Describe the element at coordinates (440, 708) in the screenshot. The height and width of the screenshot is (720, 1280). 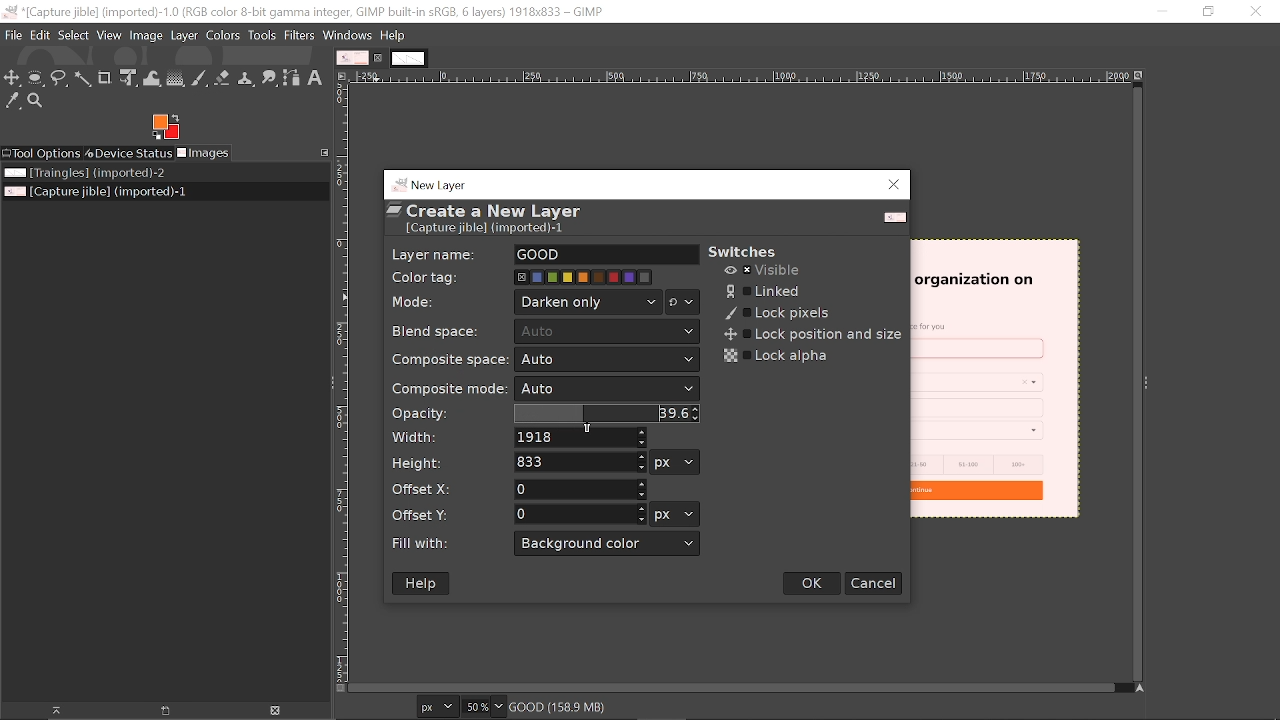
I see `Current image format` at that location.